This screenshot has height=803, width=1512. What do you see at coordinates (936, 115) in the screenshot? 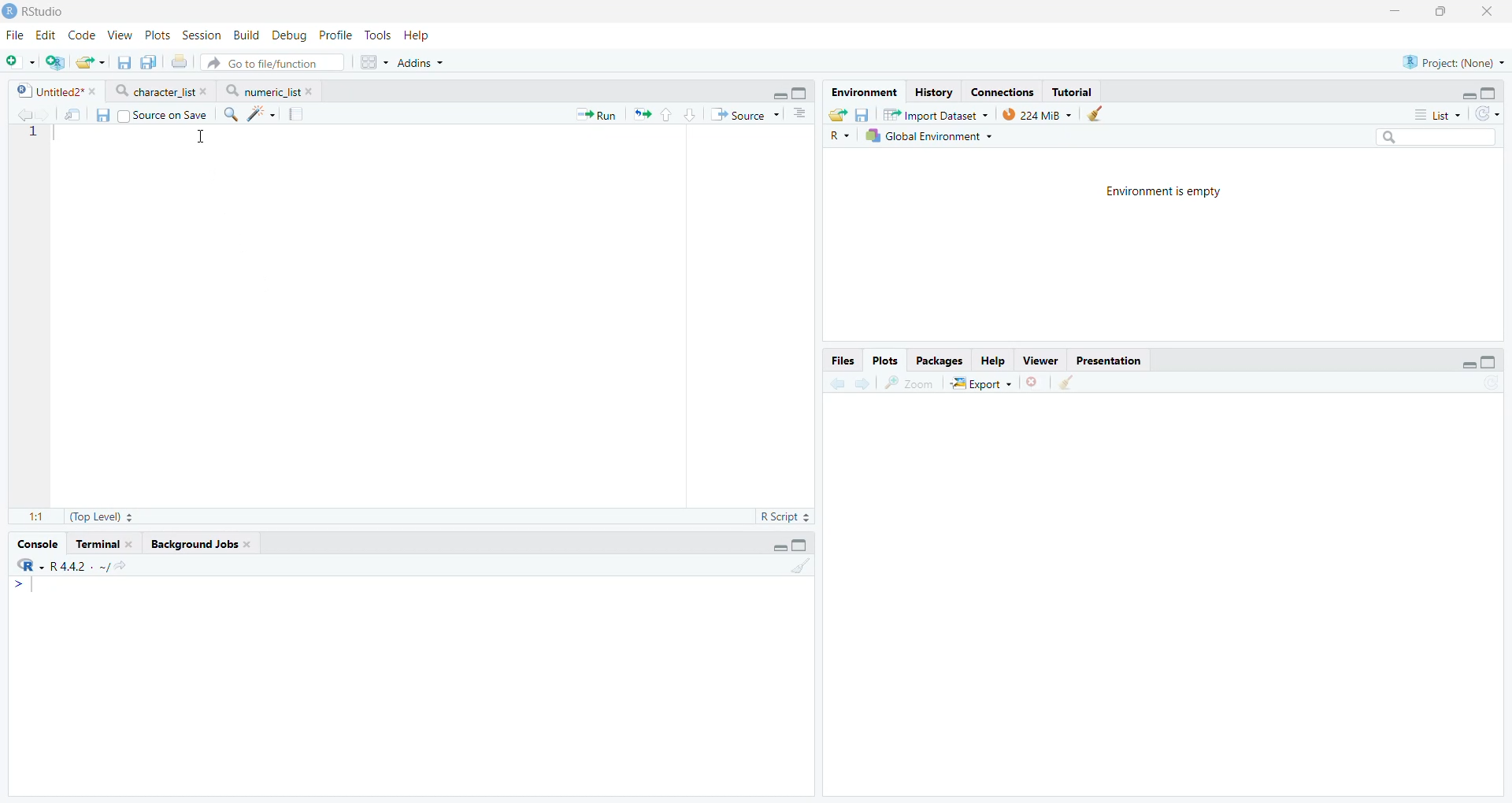
I see `Import Dataset` at bounding box center [936, 115].